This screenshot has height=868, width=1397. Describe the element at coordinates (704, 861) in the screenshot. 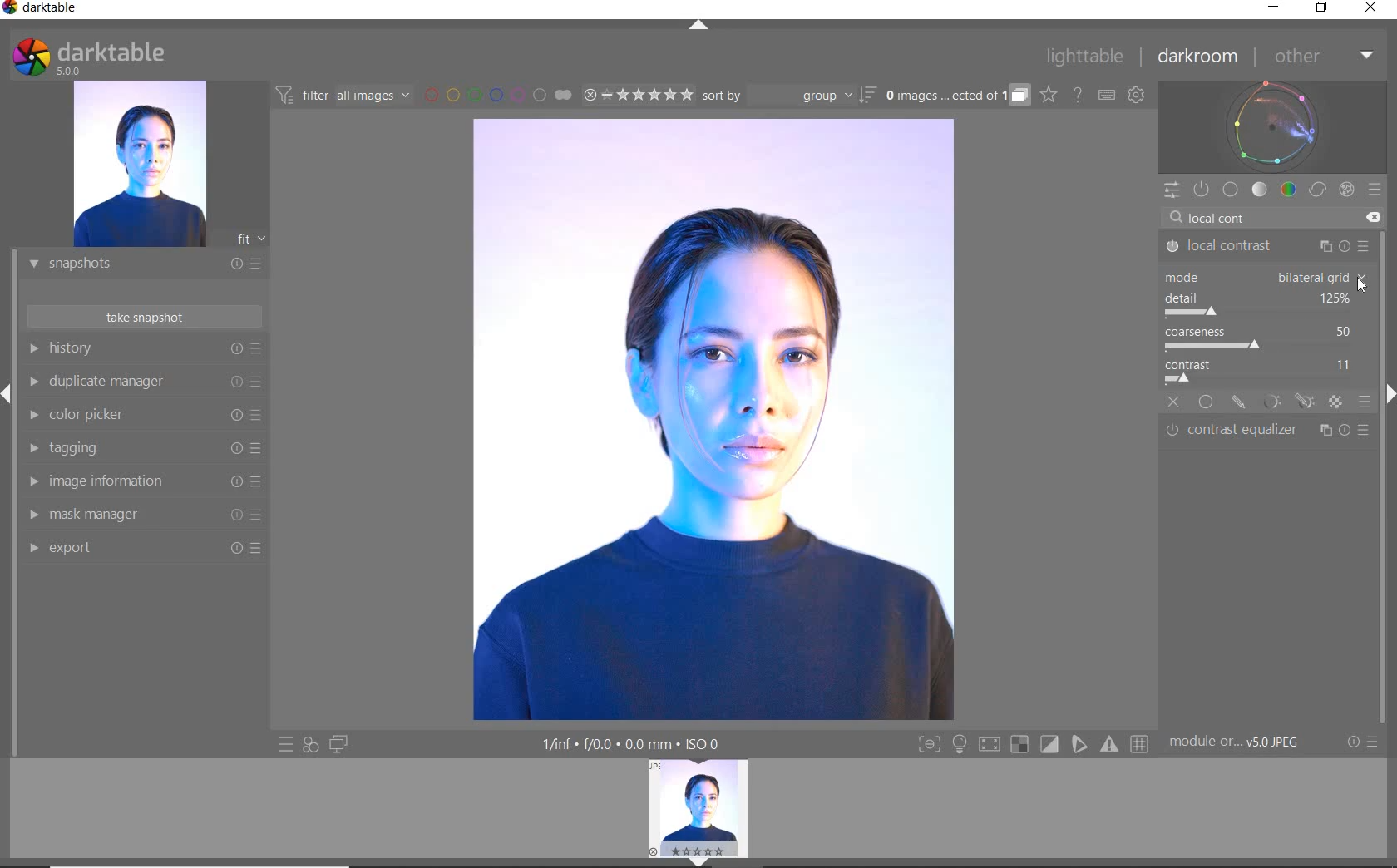

I see `EXPAND/COLLAPSE` at that location.